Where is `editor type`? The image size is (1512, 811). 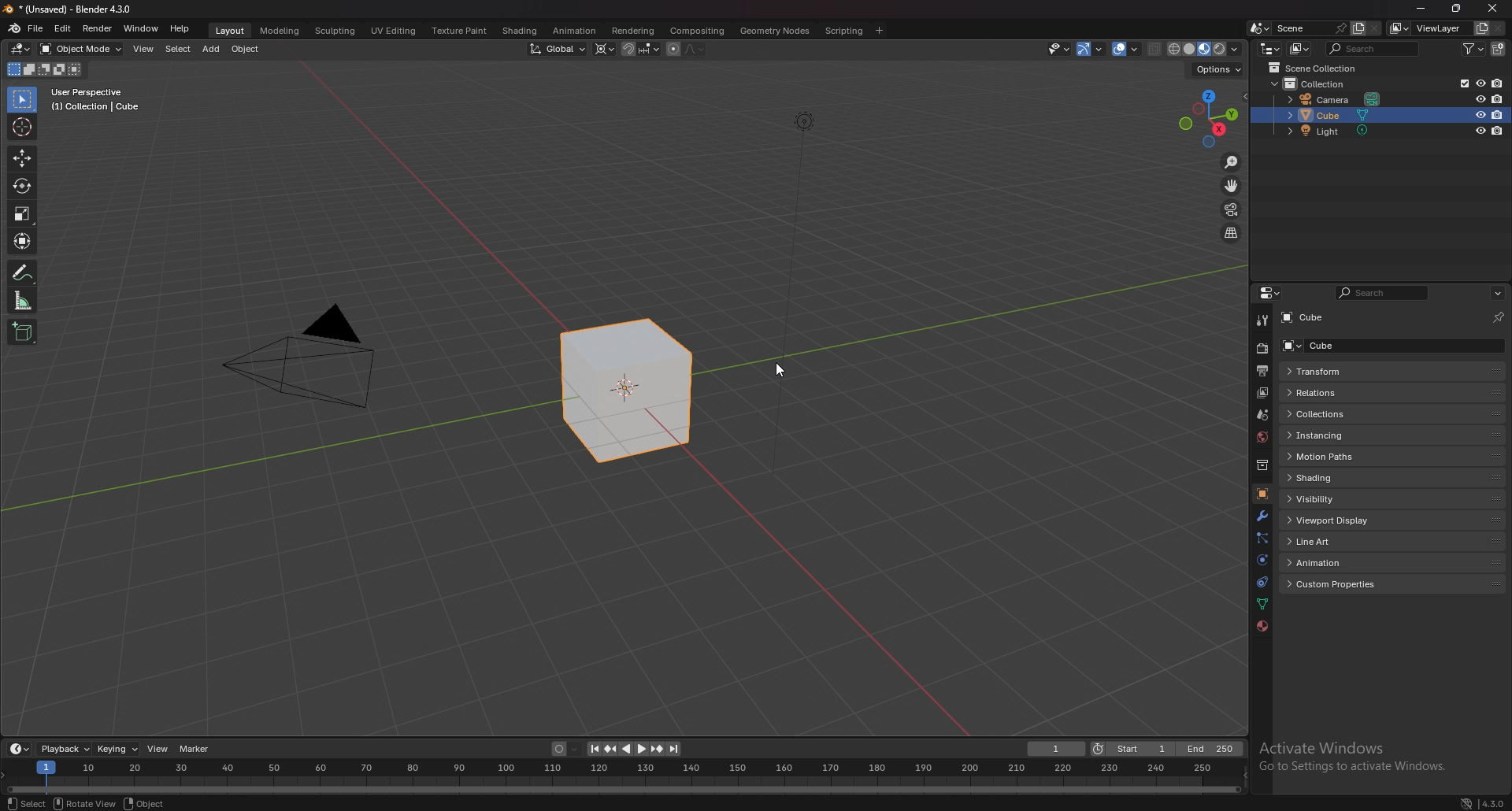
editor type is located at coordinates (1268, 293).